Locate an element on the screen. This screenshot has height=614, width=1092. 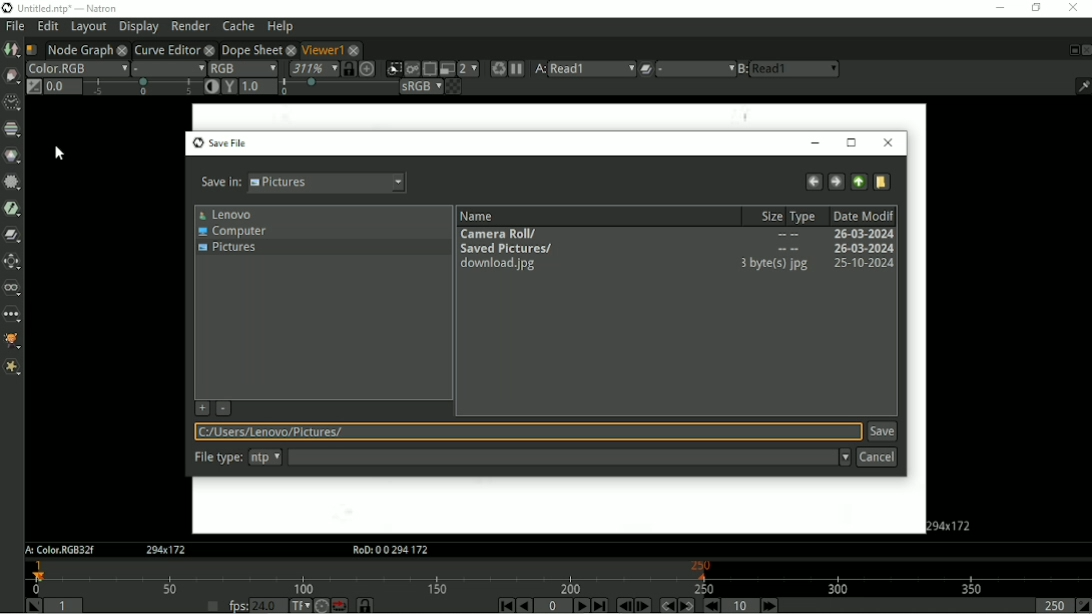
Location is located at coordinates (528, 431).